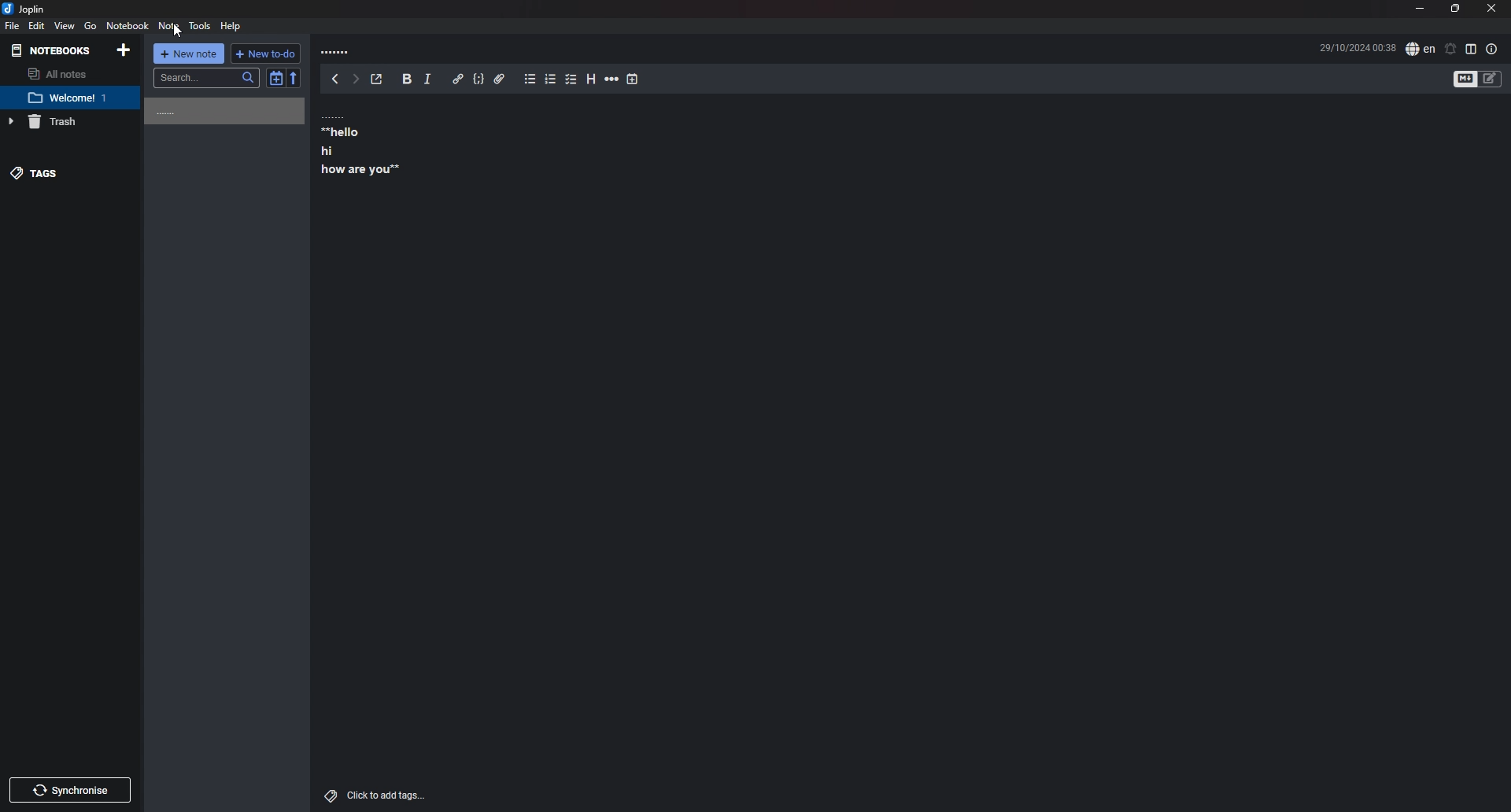  I want to click on Forward, so click(354, 79).